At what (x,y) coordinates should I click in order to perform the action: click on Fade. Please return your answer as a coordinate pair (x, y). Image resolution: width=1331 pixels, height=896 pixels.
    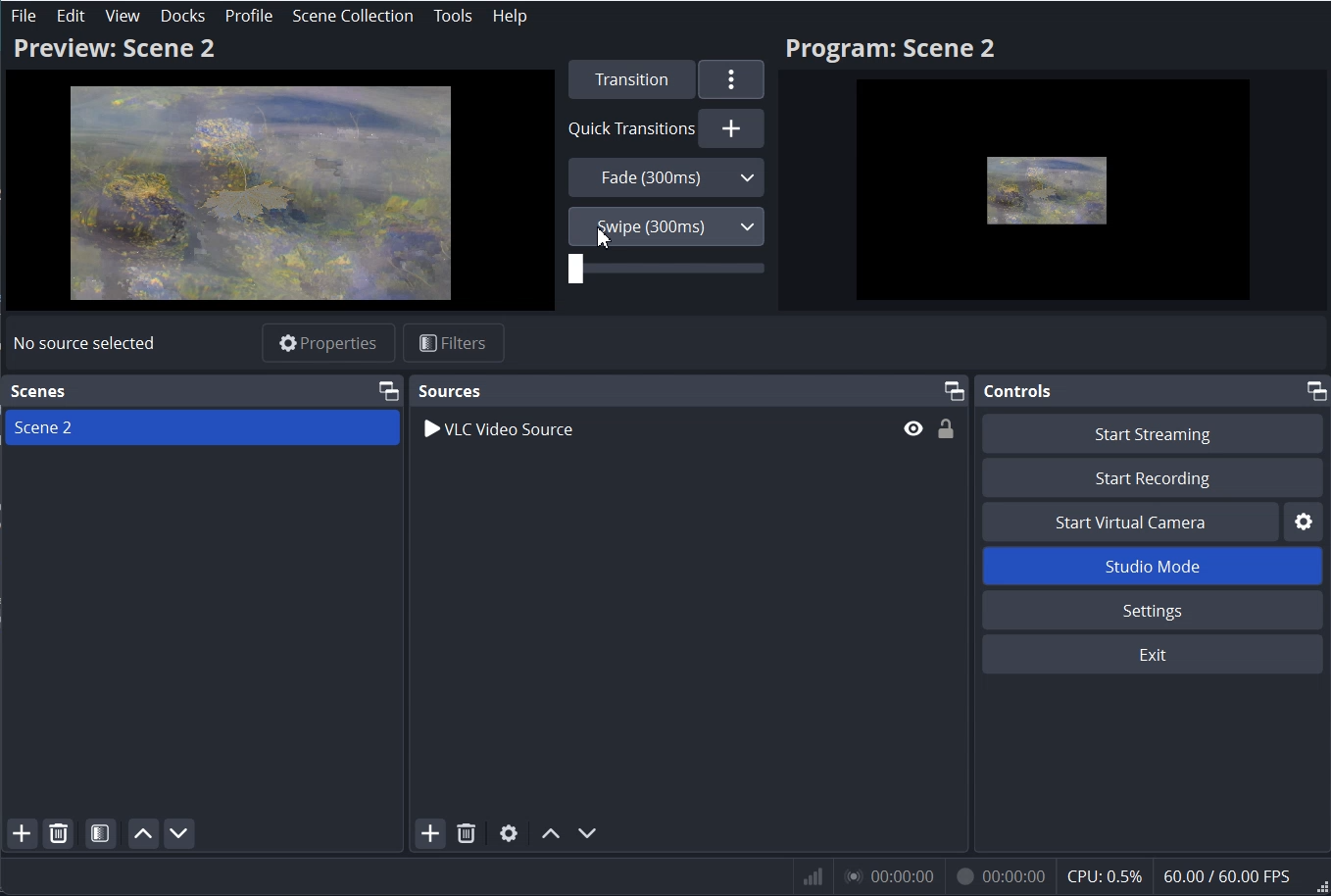
    Looking at the image, I should click on (666, 176).